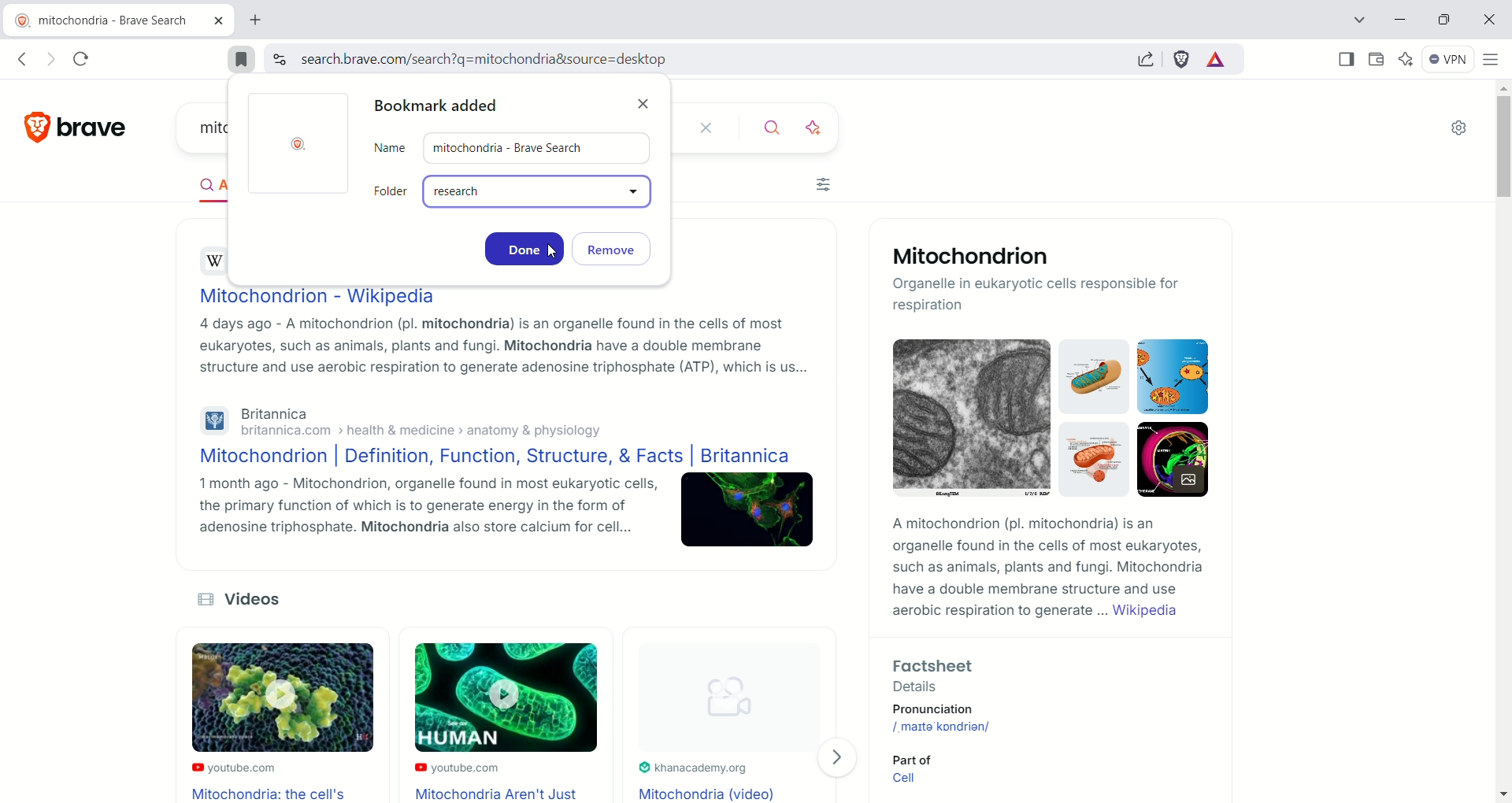 The image size is (1512, 803). I want to click on go back, so click(20, 59).